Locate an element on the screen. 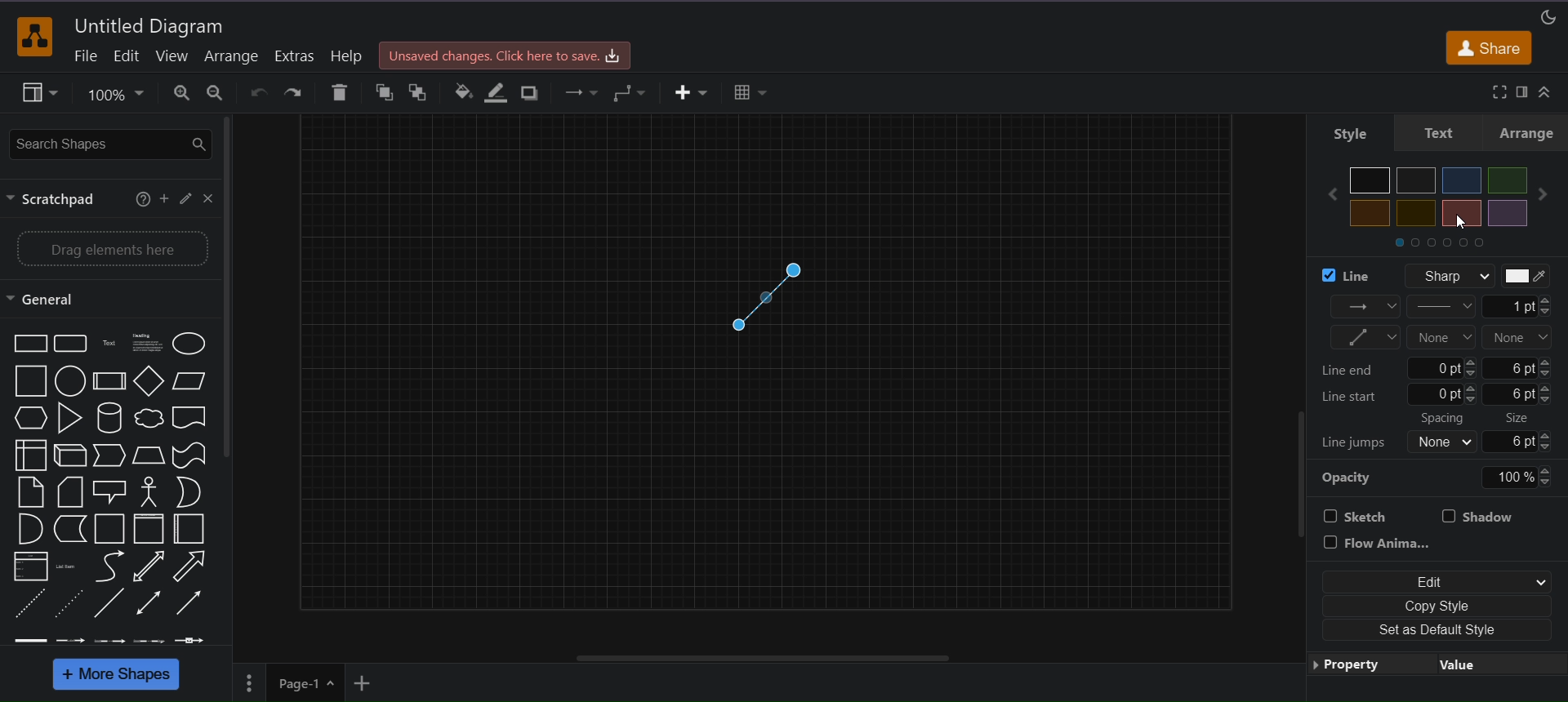 The image size is (1568, 702). value is located at coordinates (1455, 664).